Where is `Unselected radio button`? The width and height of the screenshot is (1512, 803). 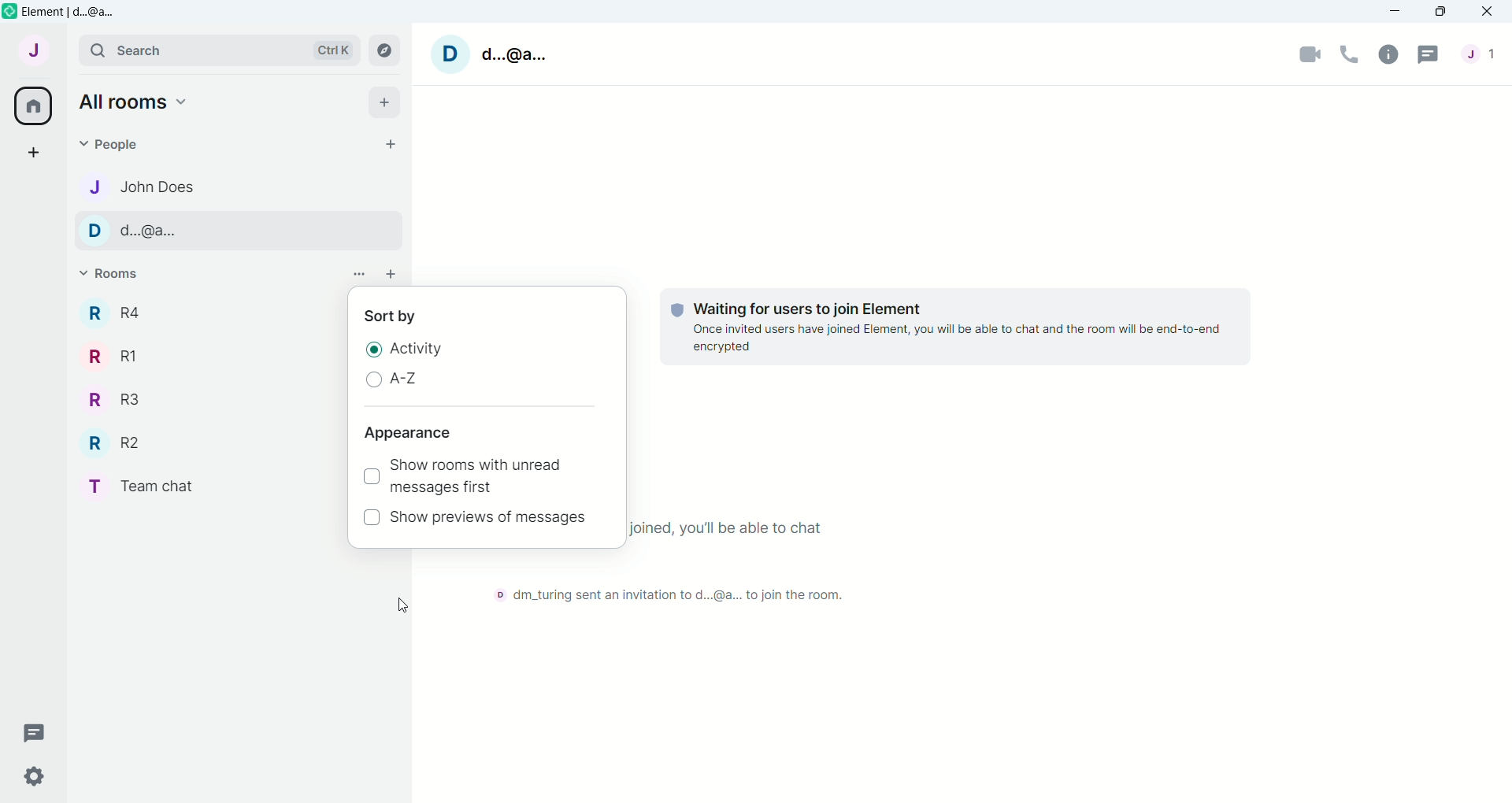
Unselected radio button is located at coordinates (374, 378).